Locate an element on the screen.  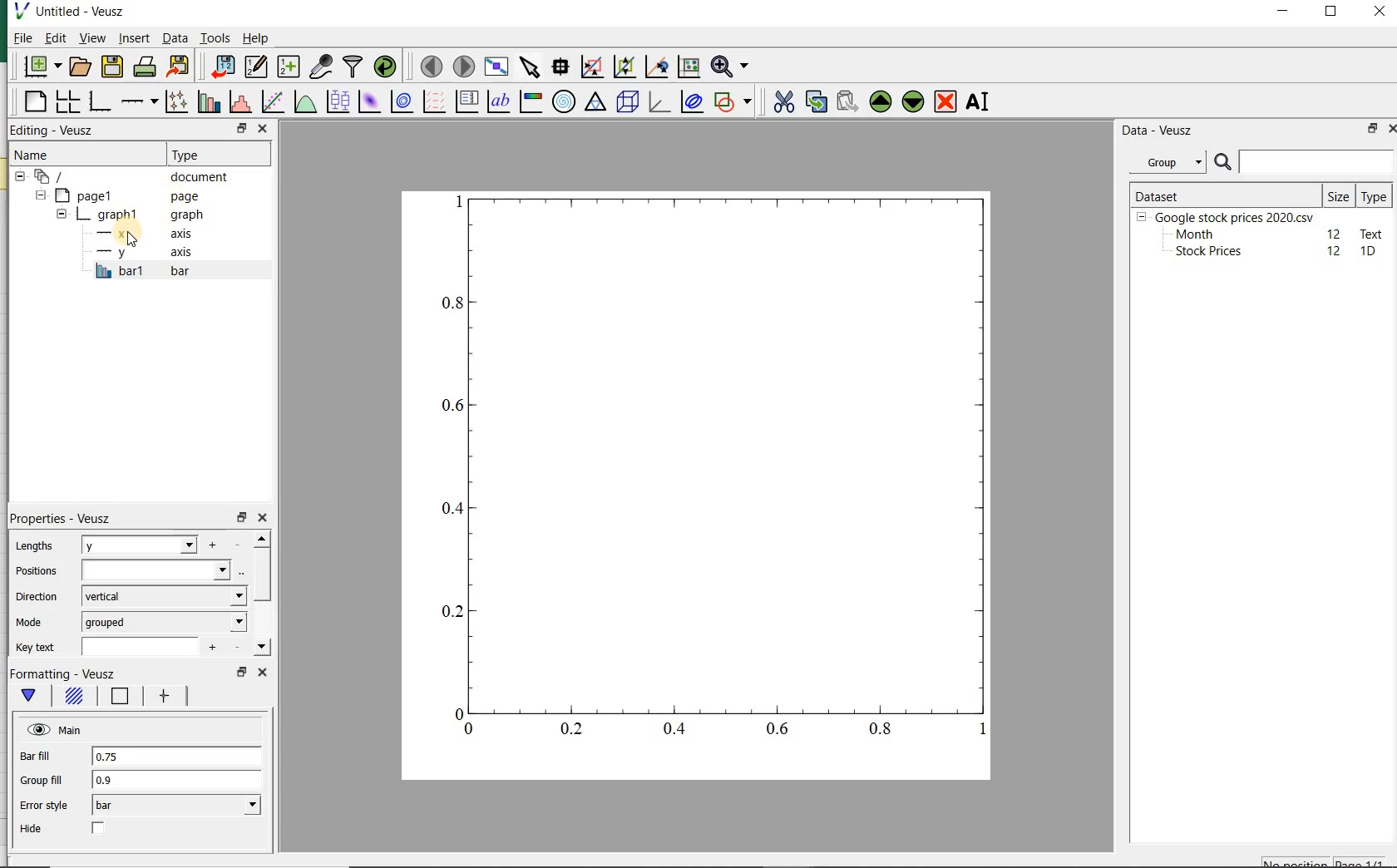
create new datasets is located at coordinates (289, 67).